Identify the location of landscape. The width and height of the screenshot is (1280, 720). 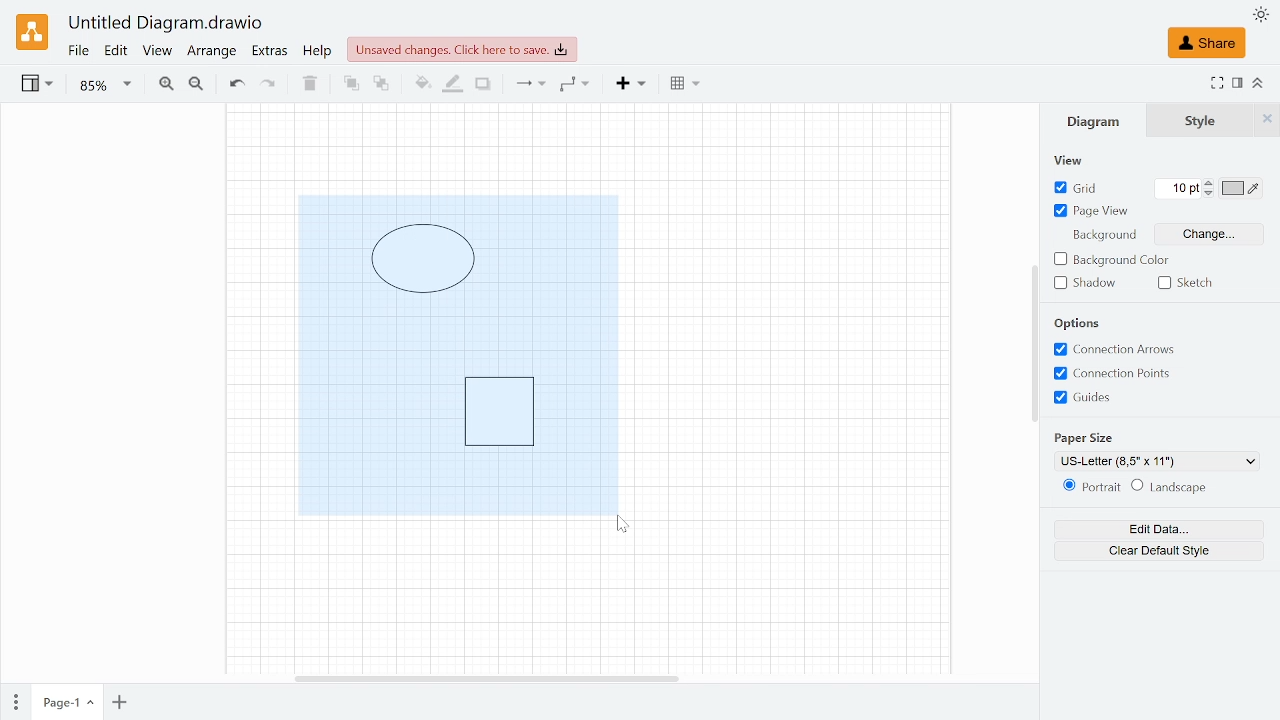
(1170, 487).